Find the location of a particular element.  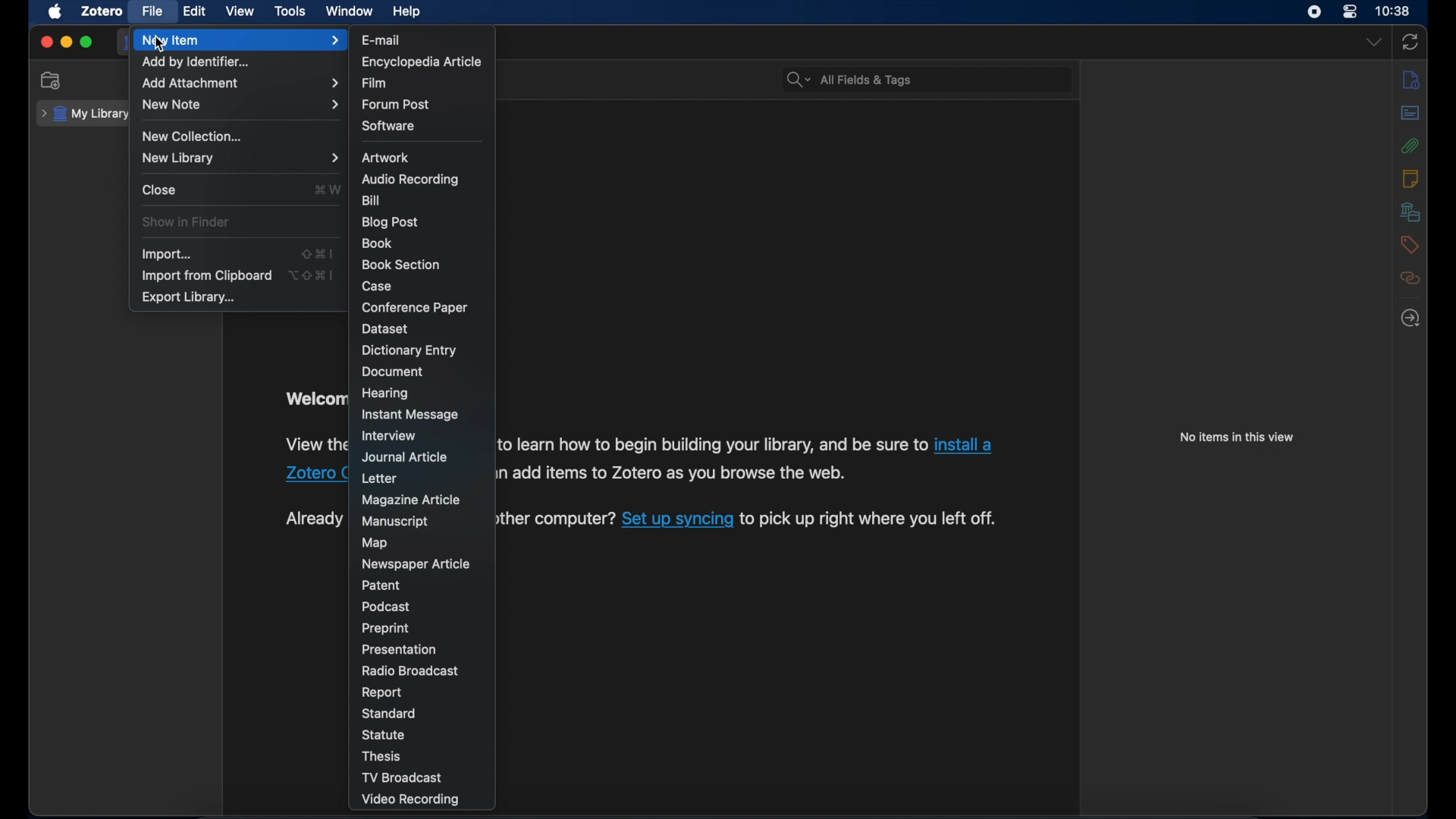

film is located at coordinates (381, 84).